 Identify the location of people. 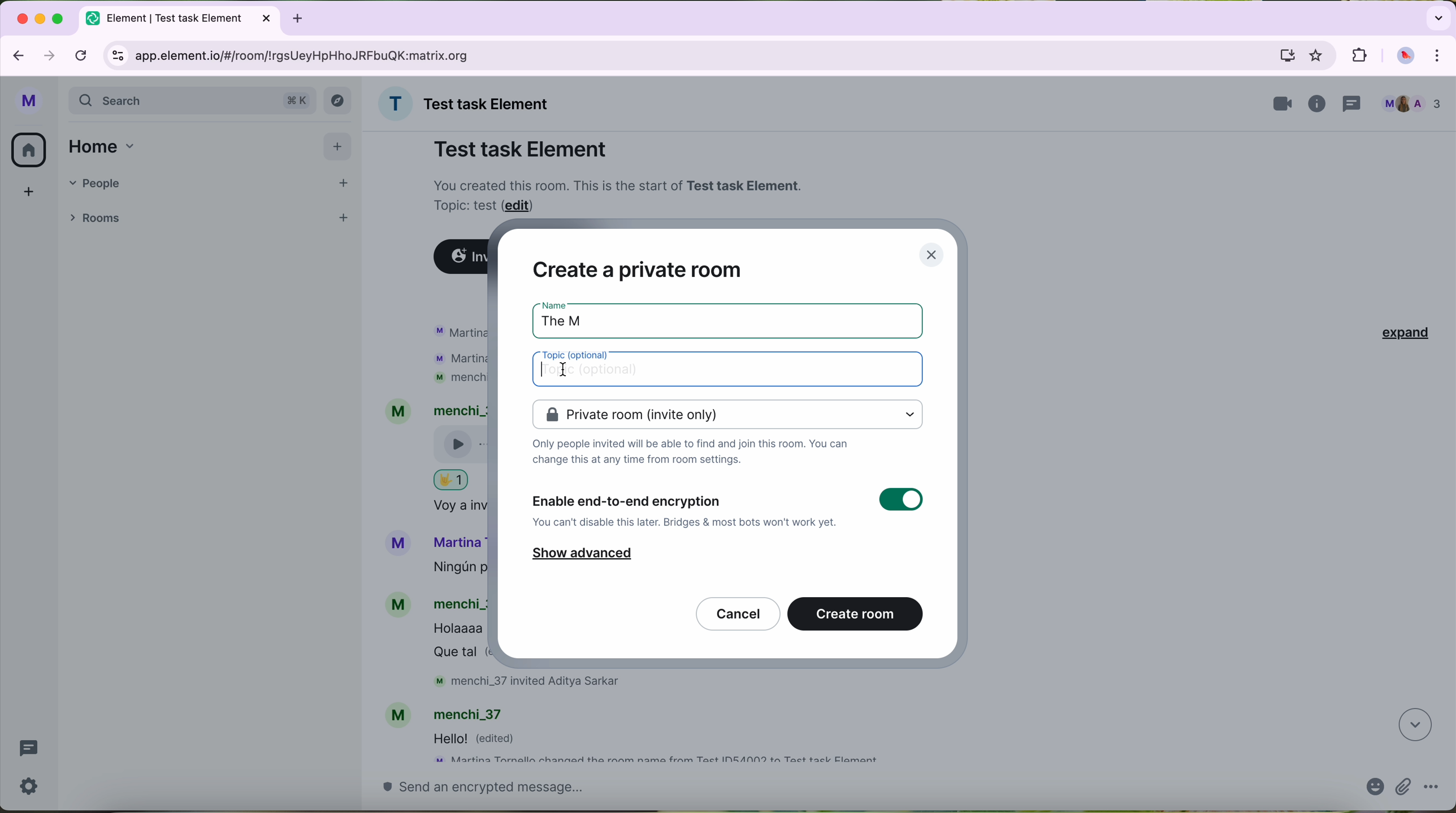
(1411, 103).